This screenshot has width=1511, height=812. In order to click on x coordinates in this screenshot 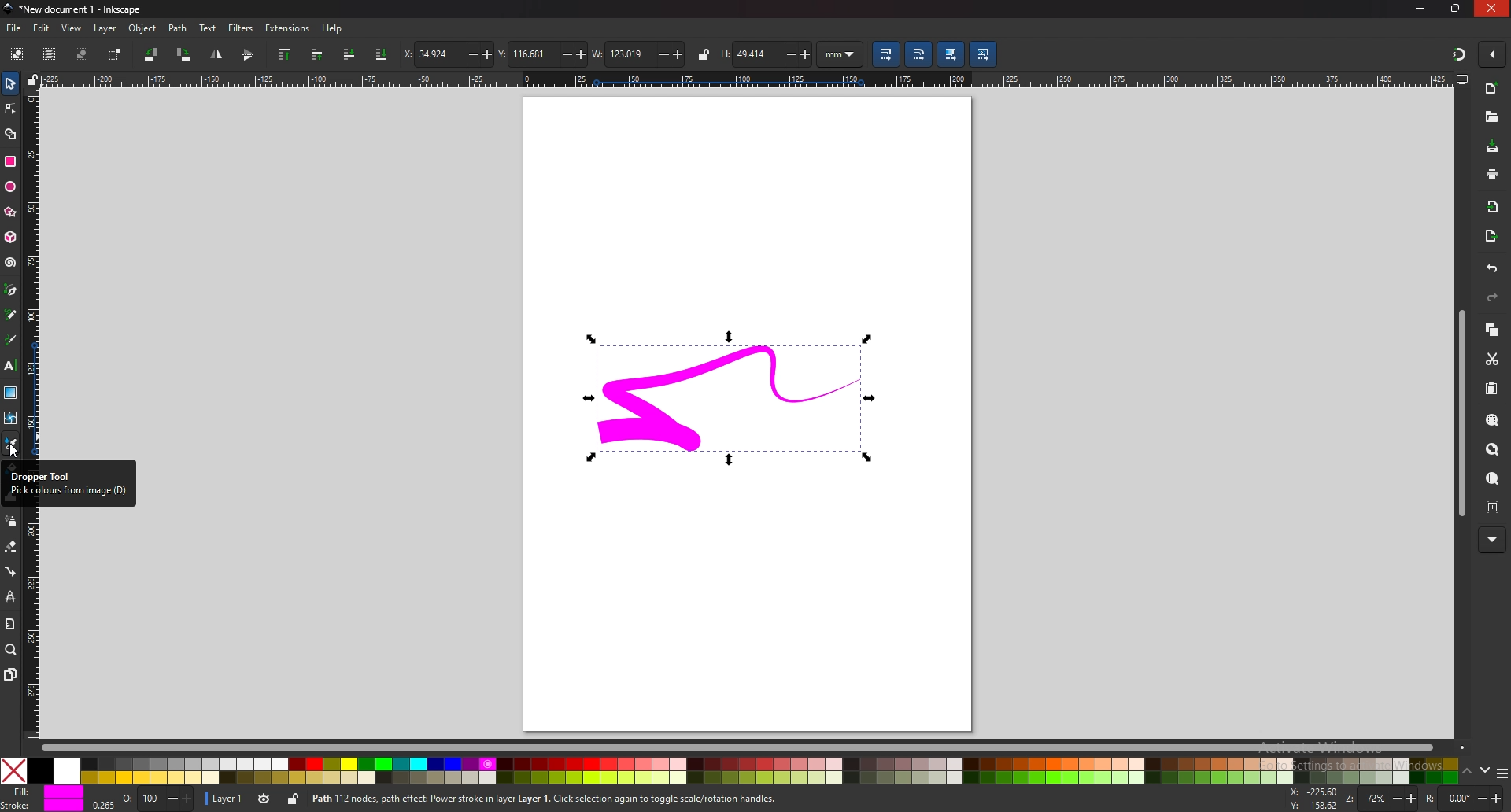, I will do `click(446, 54)`.